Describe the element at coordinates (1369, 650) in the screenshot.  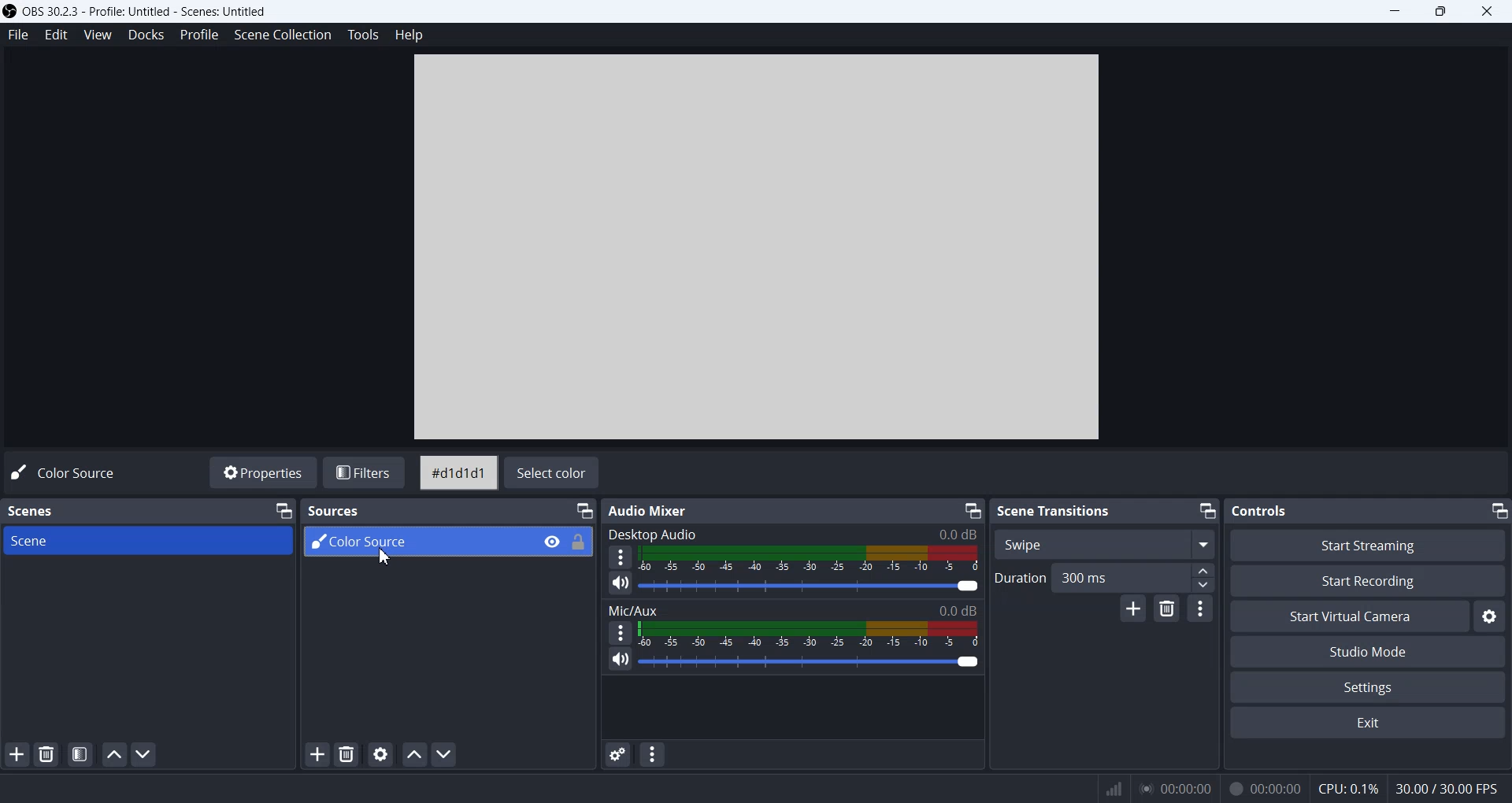
I see `Studio Mode` at that location.